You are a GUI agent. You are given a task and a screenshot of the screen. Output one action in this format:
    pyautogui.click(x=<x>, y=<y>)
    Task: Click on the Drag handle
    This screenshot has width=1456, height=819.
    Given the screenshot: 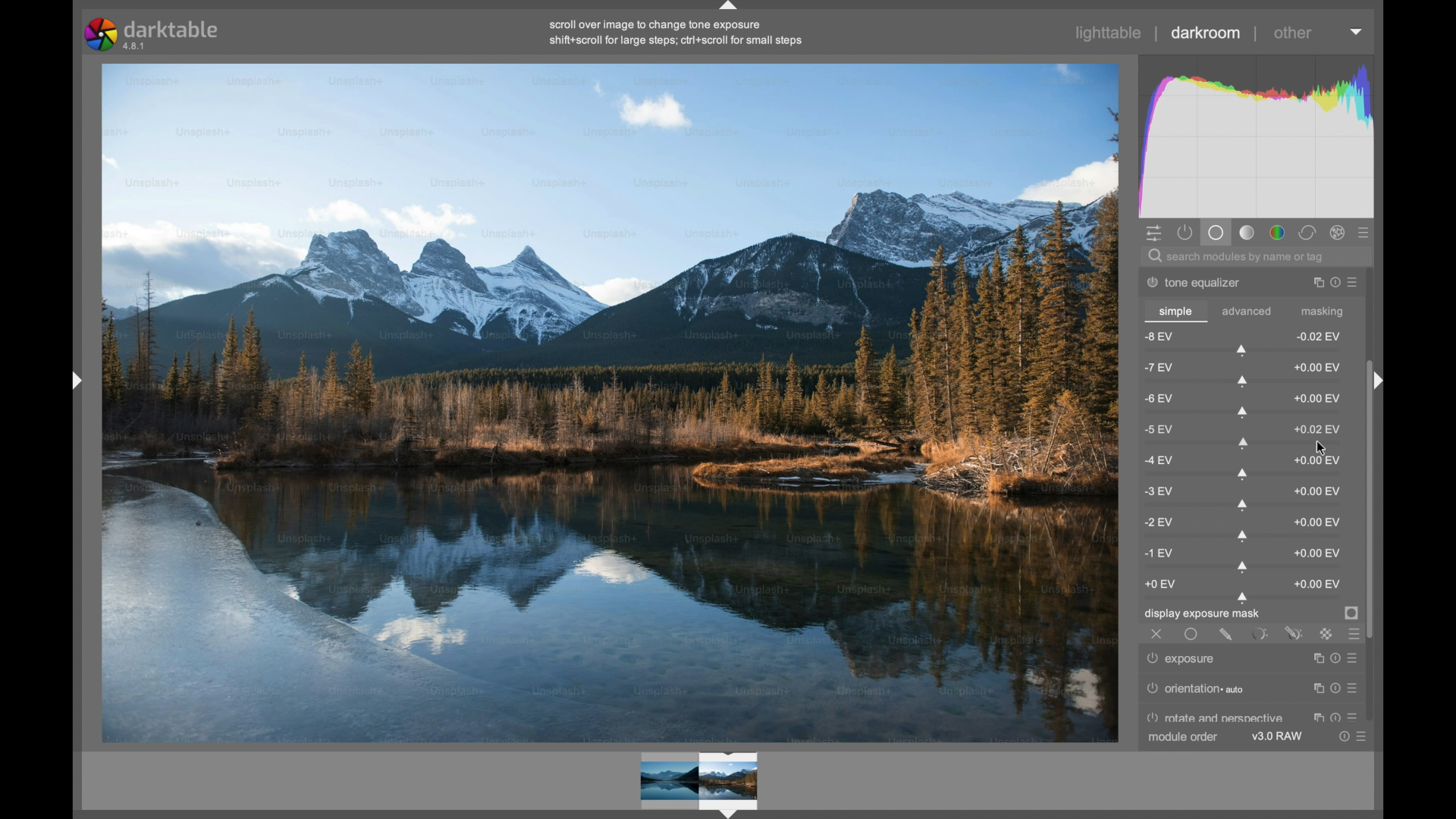 What is the action you would take?
    pyautogui.click(x=1380, y=380)
    